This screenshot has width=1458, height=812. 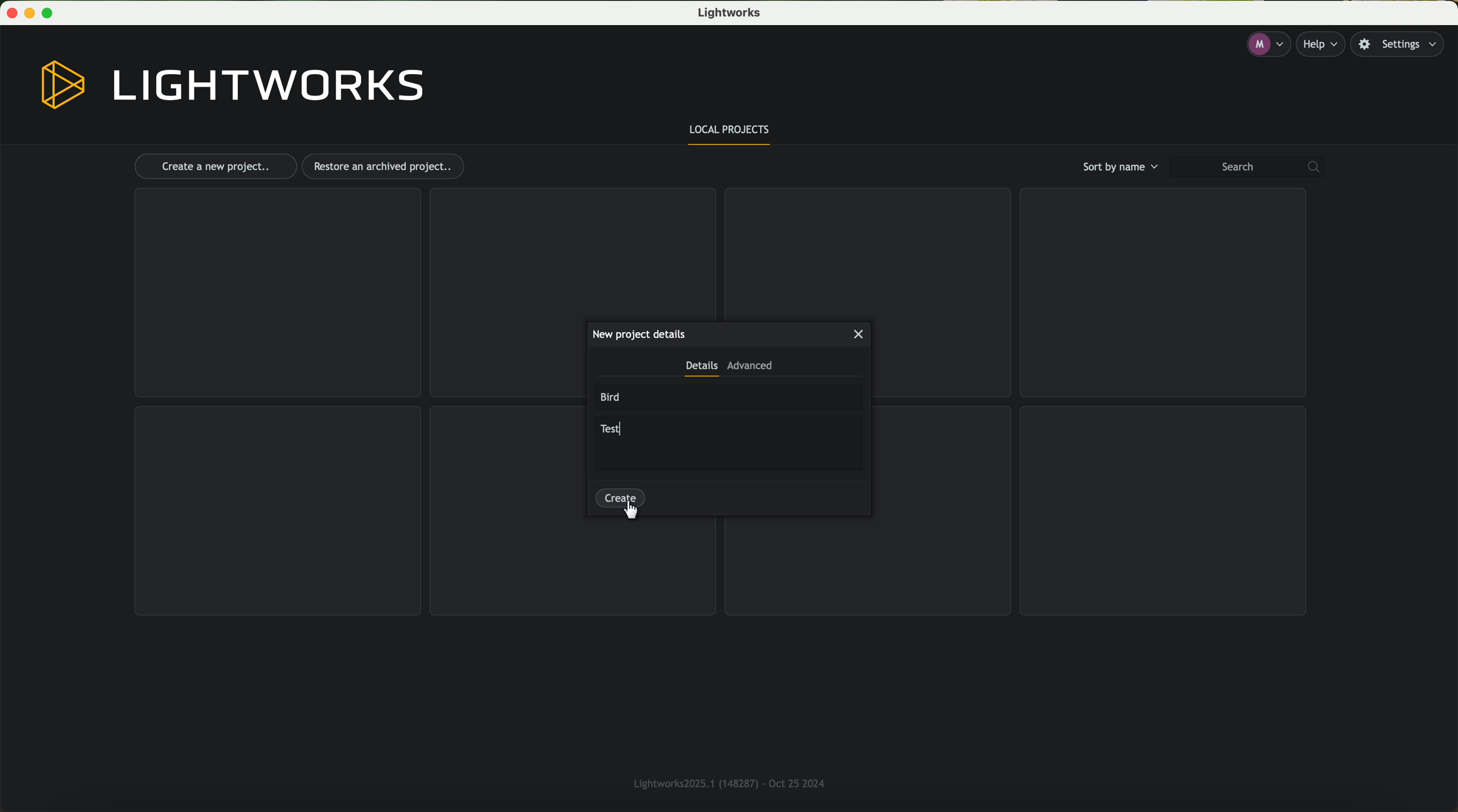 What do you see at coordinates (276, 293) in the screenshot?
I see `grid` at bounding box center [276, 293].